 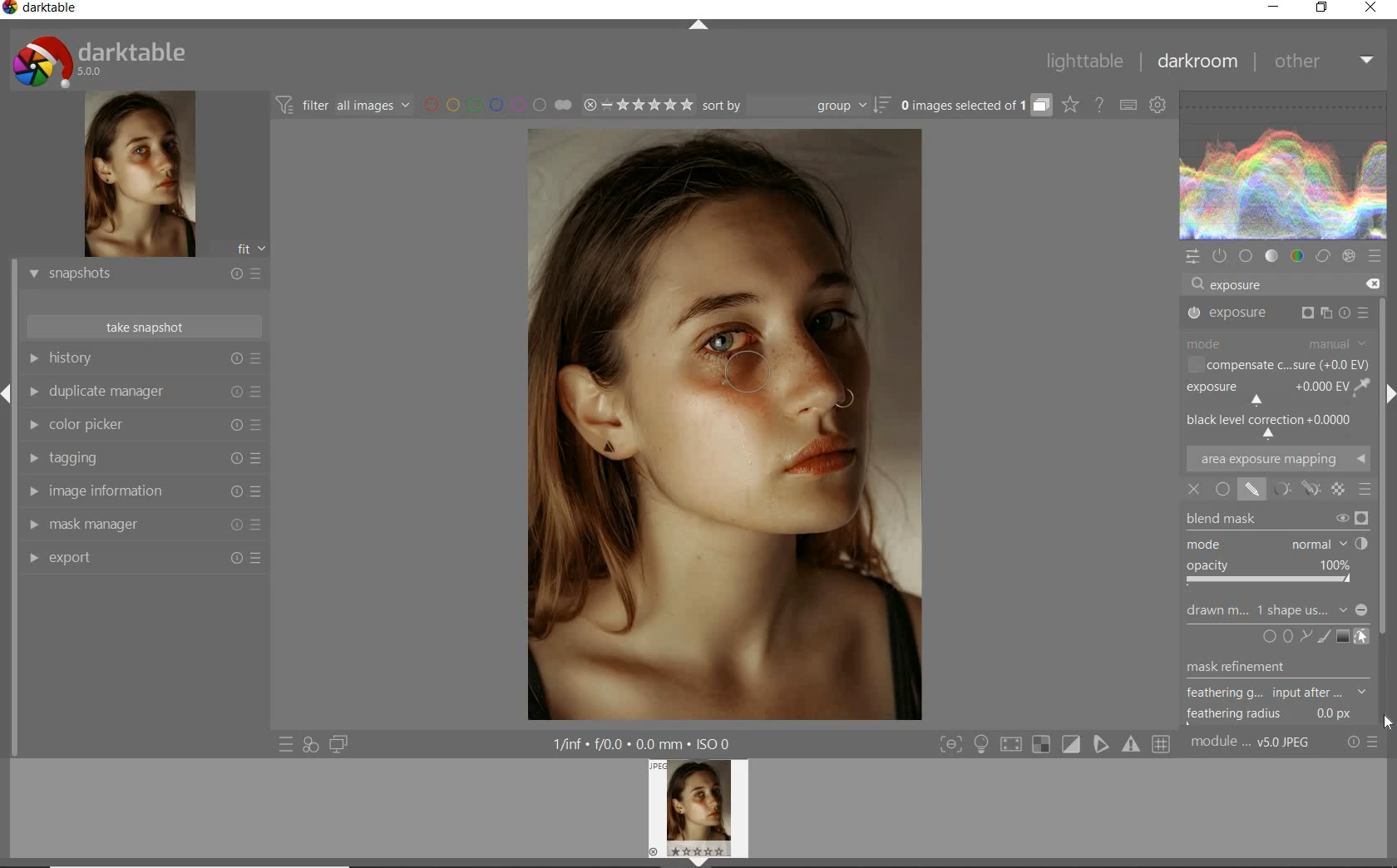 What do you see at coordinates (1276, 519) in the screenshot?
I see `BLEND MASK` at bounding box center [1276, 519].